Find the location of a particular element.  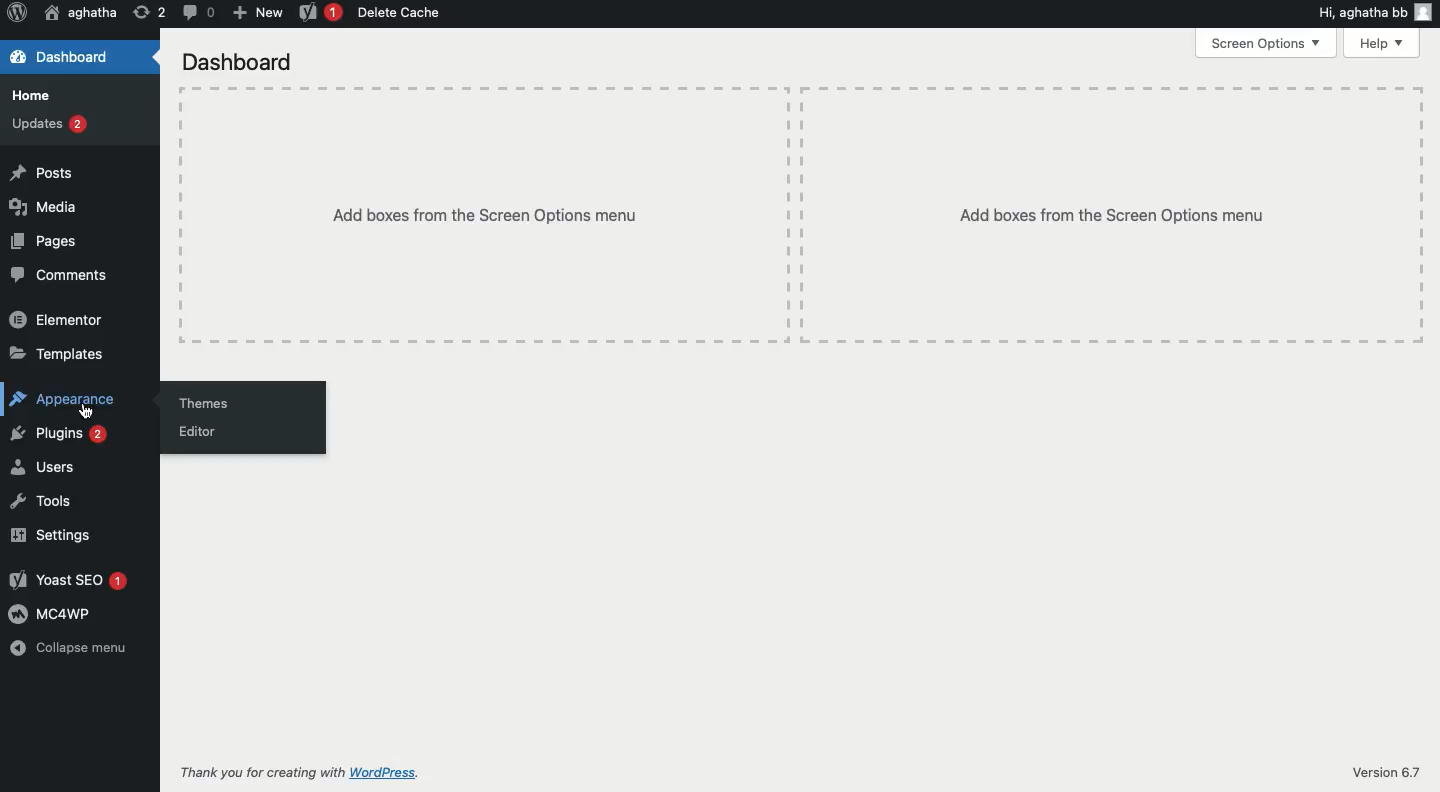

Media is located at coordinates (48, 207).